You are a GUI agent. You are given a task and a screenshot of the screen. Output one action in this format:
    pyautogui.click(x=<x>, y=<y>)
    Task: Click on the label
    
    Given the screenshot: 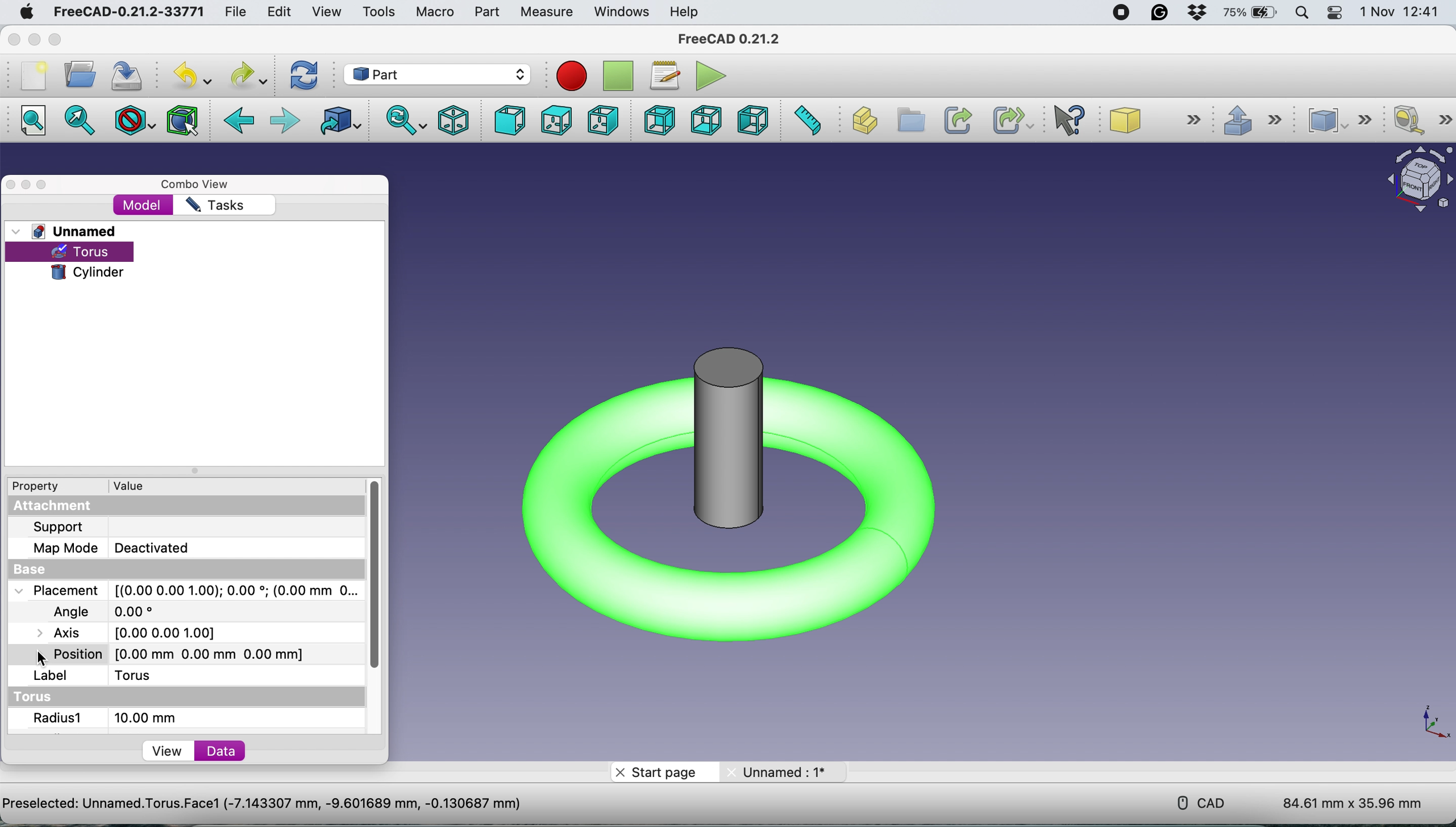 What is the action you would take?
    pyautogui.click(x=51, y=676)
    